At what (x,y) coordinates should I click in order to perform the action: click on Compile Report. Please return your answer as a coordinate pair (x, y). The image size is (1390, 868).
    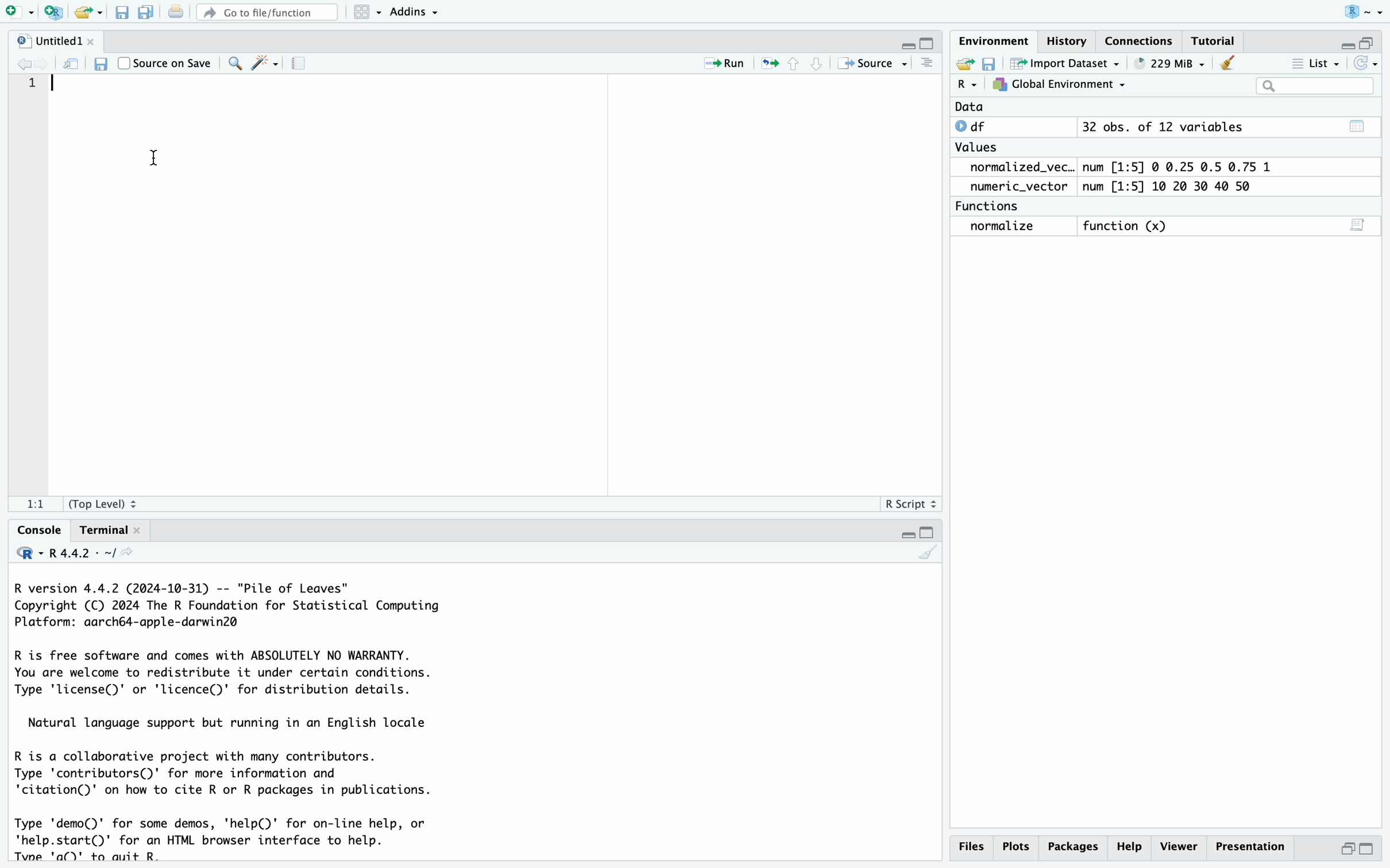
    Looking at the image, I should click on (303, 64).